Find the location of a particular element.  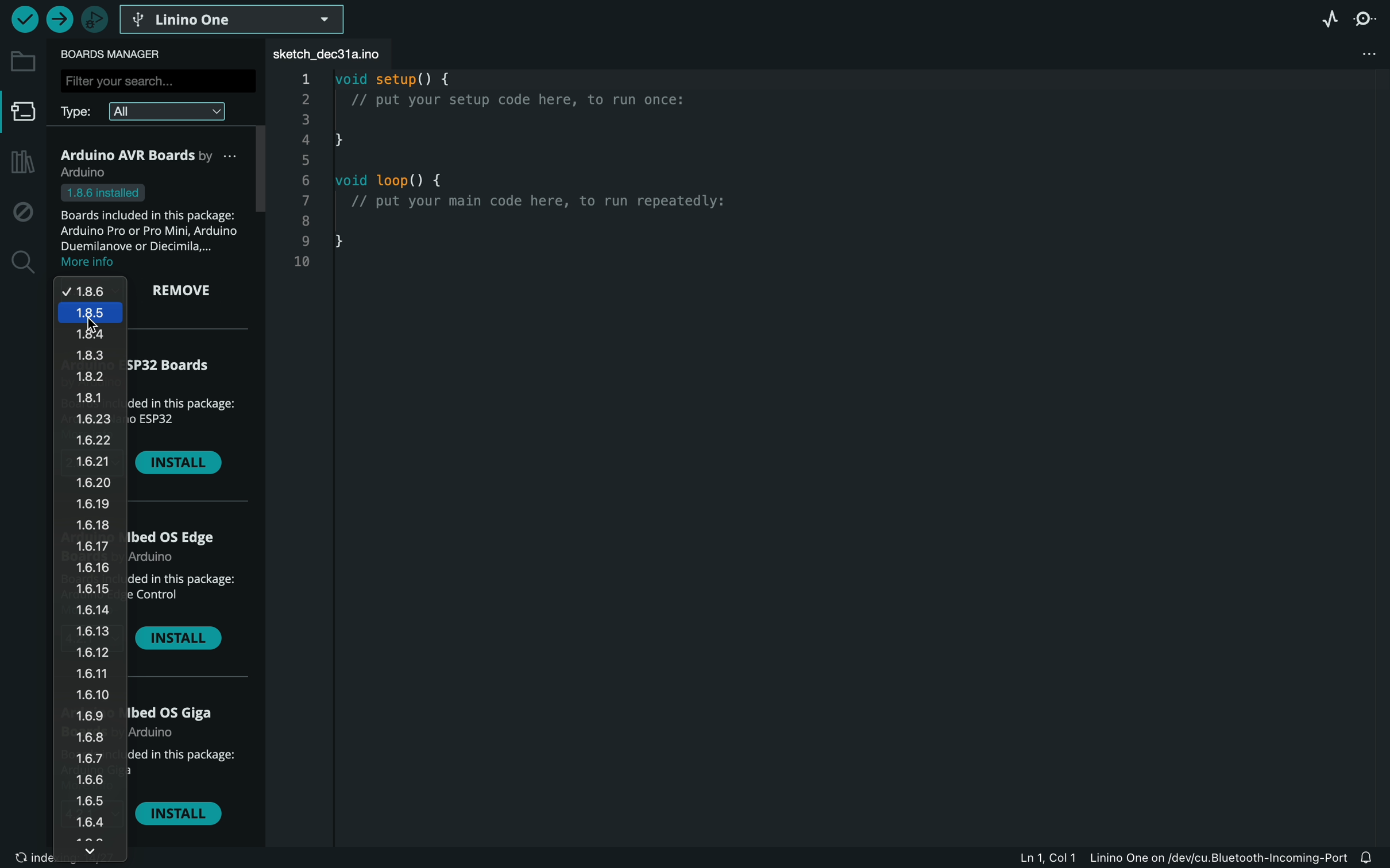

INSTALL is located at coordinates (183, 817).